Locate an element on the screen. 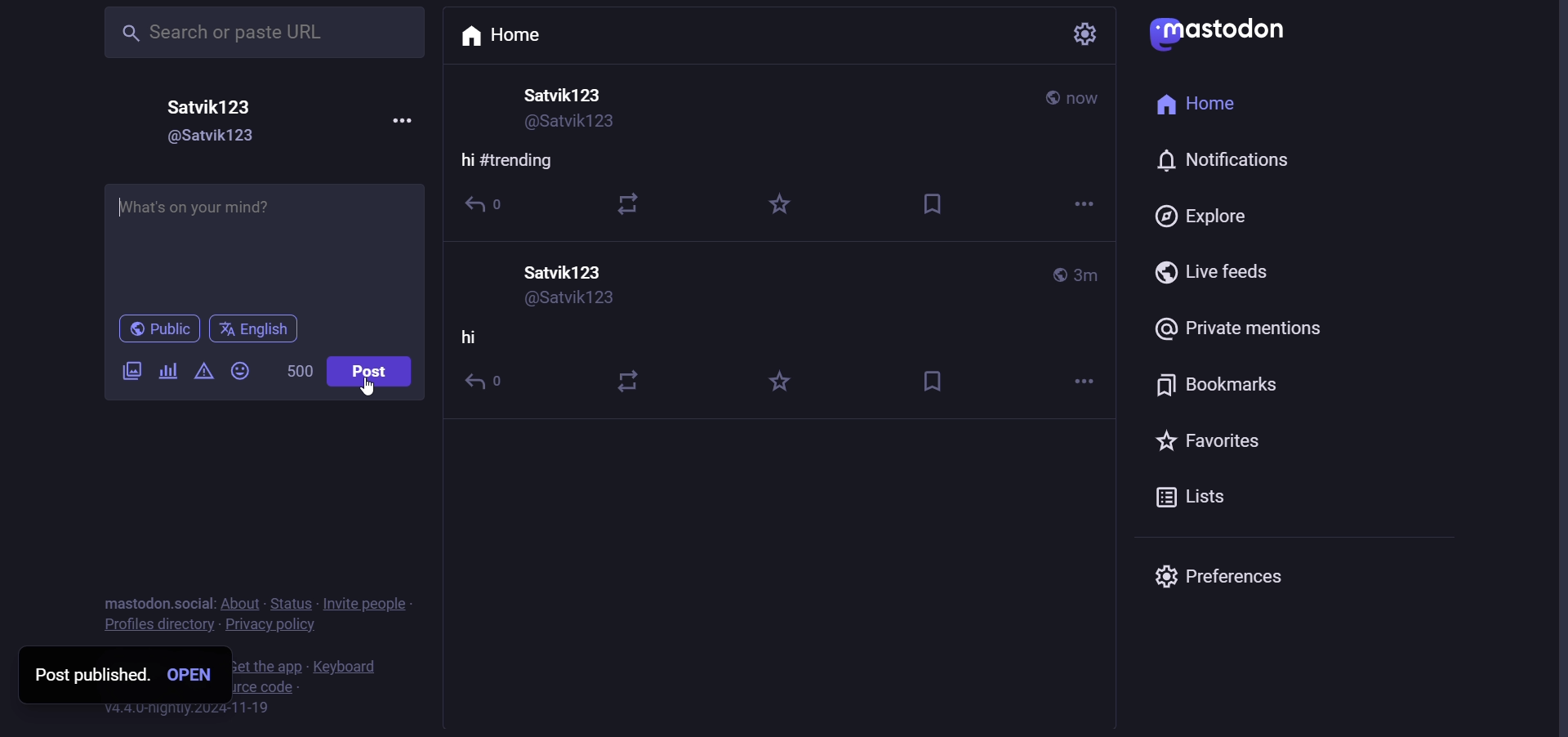  boost is located at coordinates (634, 382).